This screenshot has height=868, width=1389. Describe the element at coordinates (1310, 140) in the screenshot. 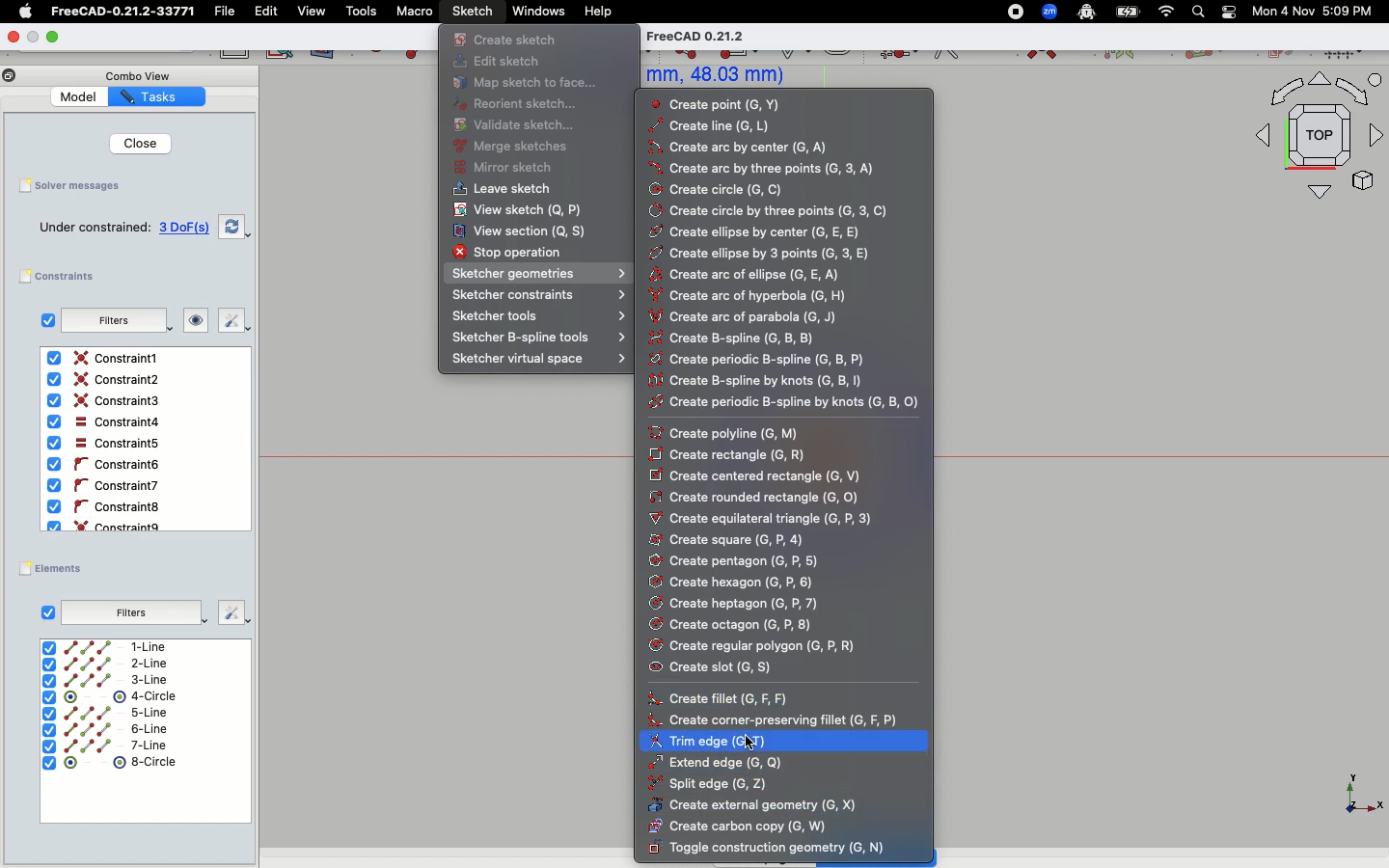

I see `Top` at that location.